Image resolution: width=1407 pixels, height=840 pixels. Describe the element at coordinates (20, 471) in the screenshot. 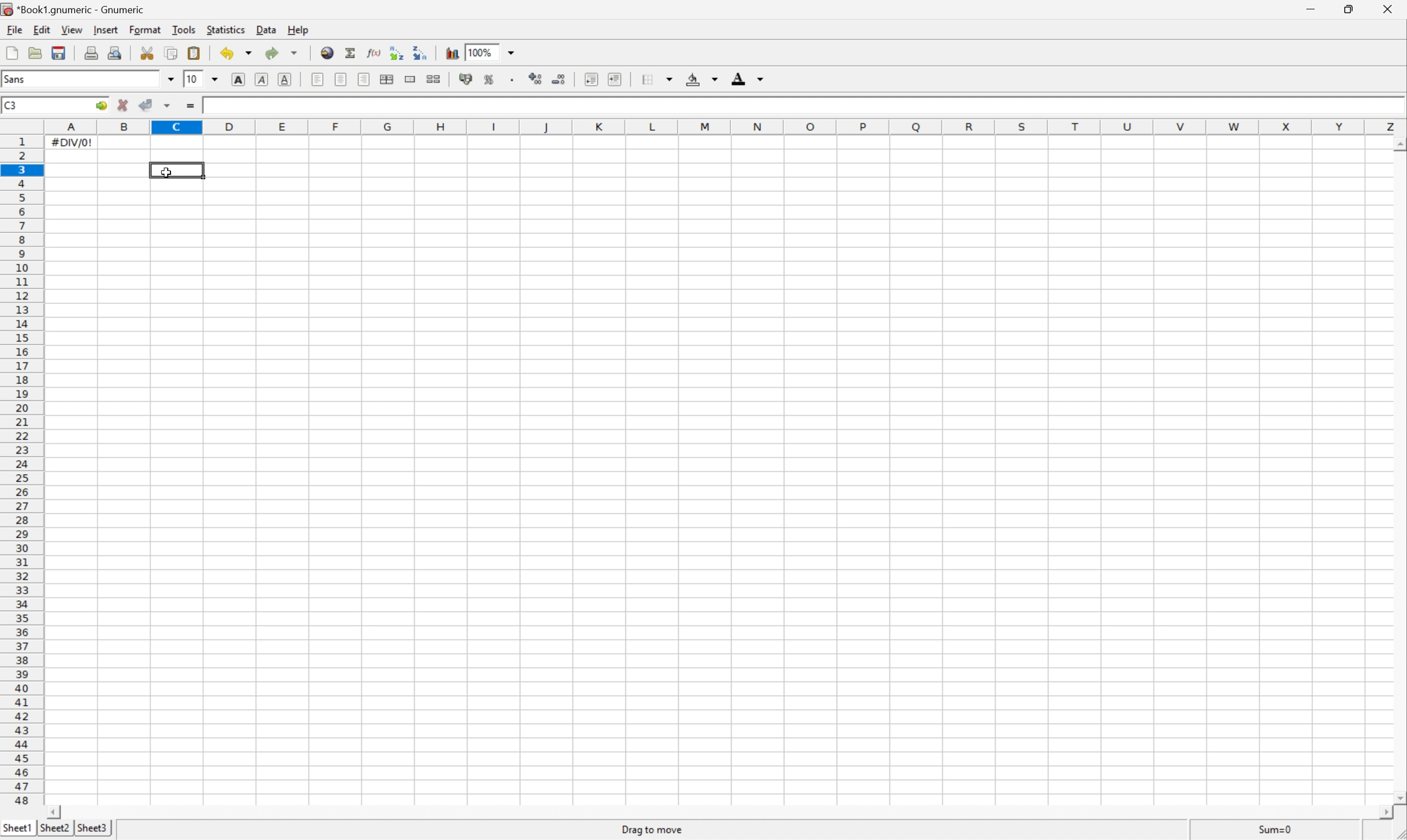

I see `Row numbers` at that location.